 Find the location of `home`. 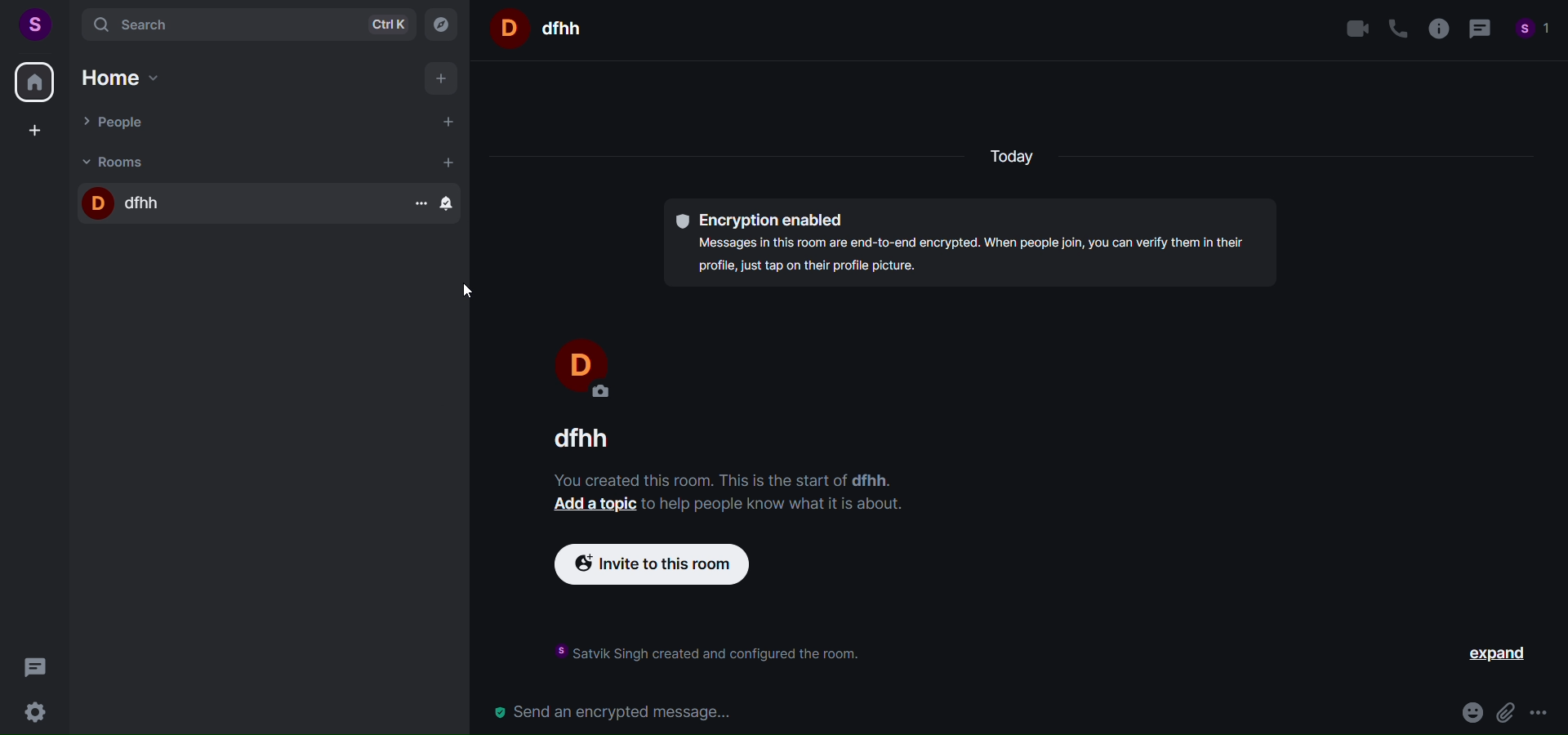

home is located at coordinates (33, 84).